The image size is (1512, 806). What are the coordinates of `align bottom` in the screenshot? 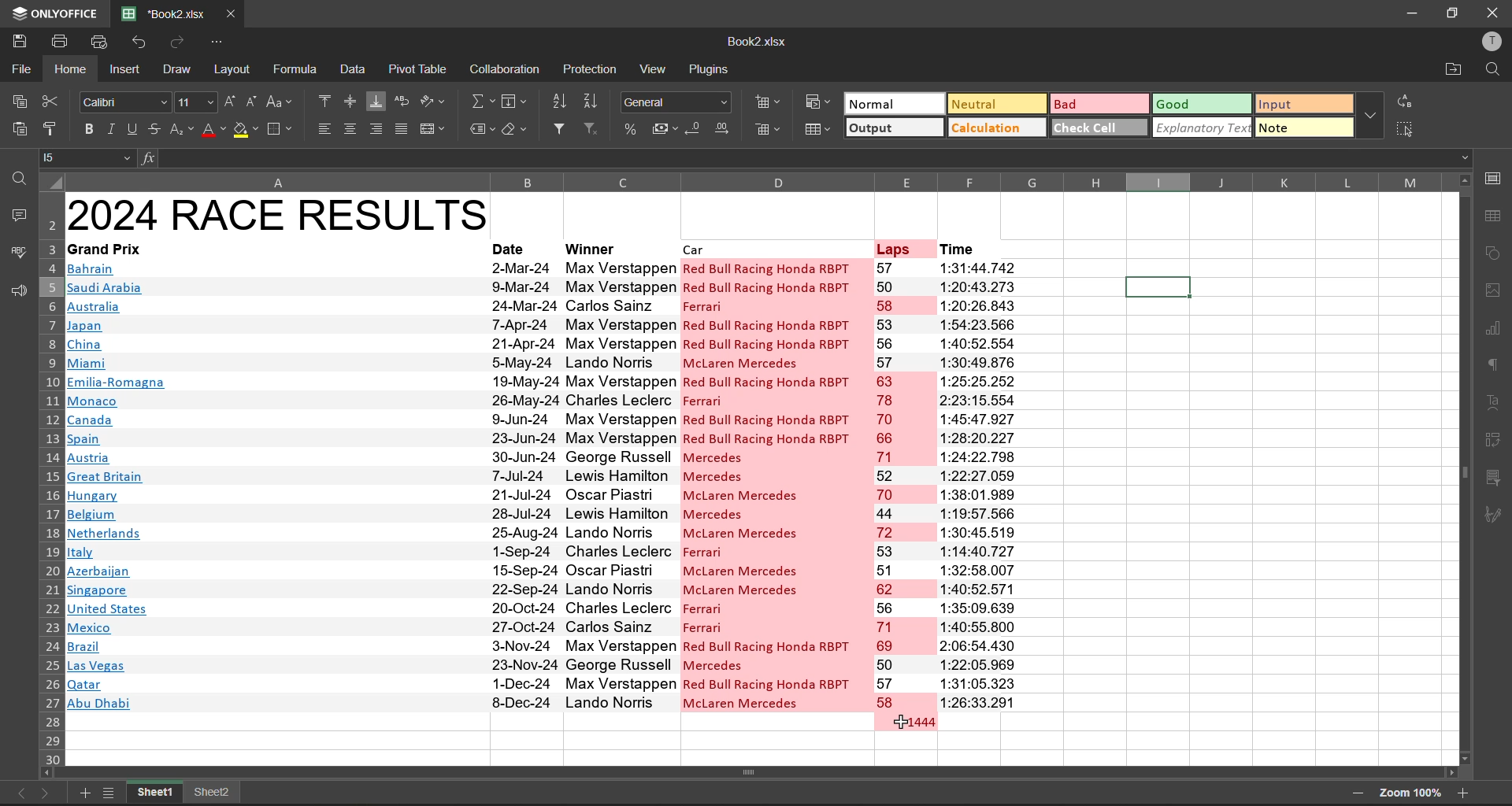 It's located at (375, 100).